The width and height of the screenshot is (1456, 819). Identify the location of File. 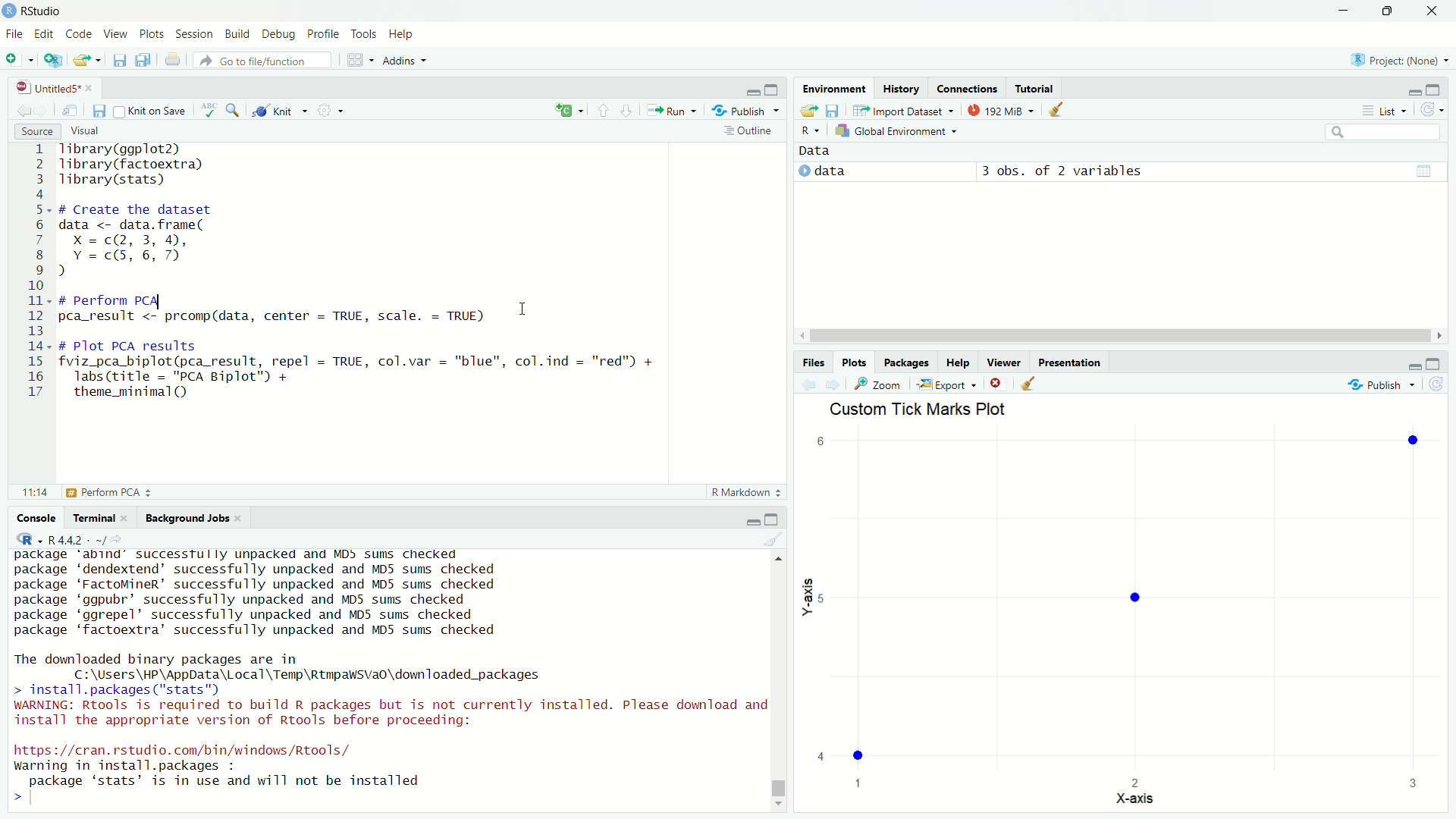
(15, 35).